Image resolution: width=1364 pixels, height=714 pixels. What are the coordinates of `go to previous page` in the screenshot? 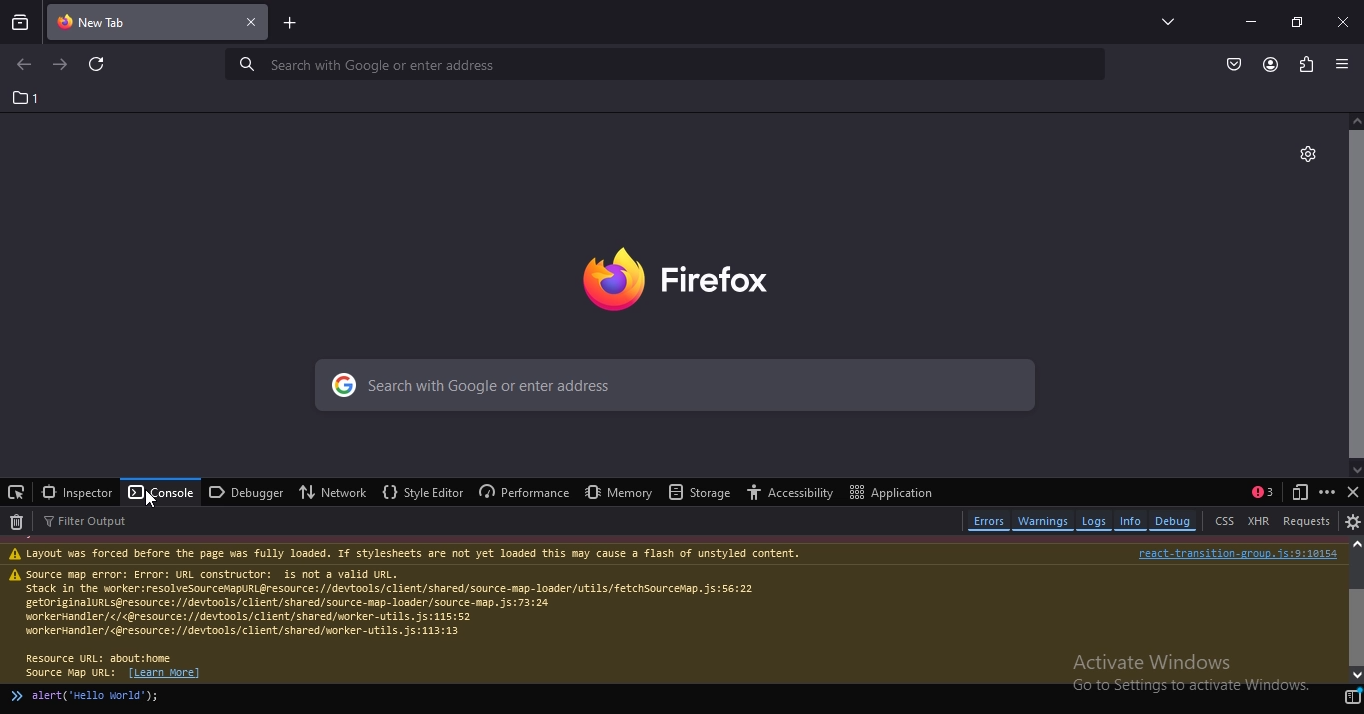 It's located at (21, 67).